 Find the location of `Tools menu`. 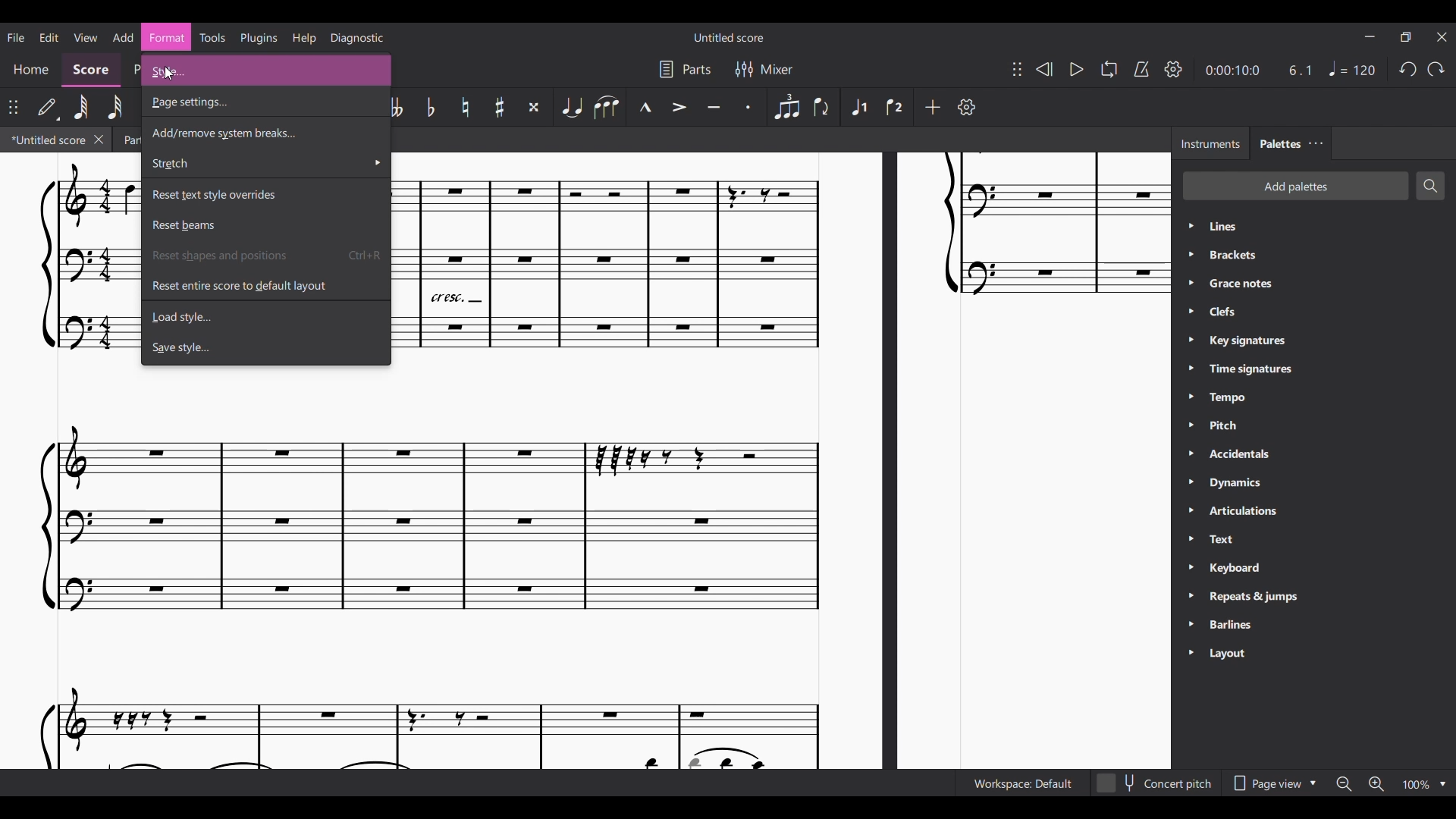

Tools menu is located at coordinates (212, 37).